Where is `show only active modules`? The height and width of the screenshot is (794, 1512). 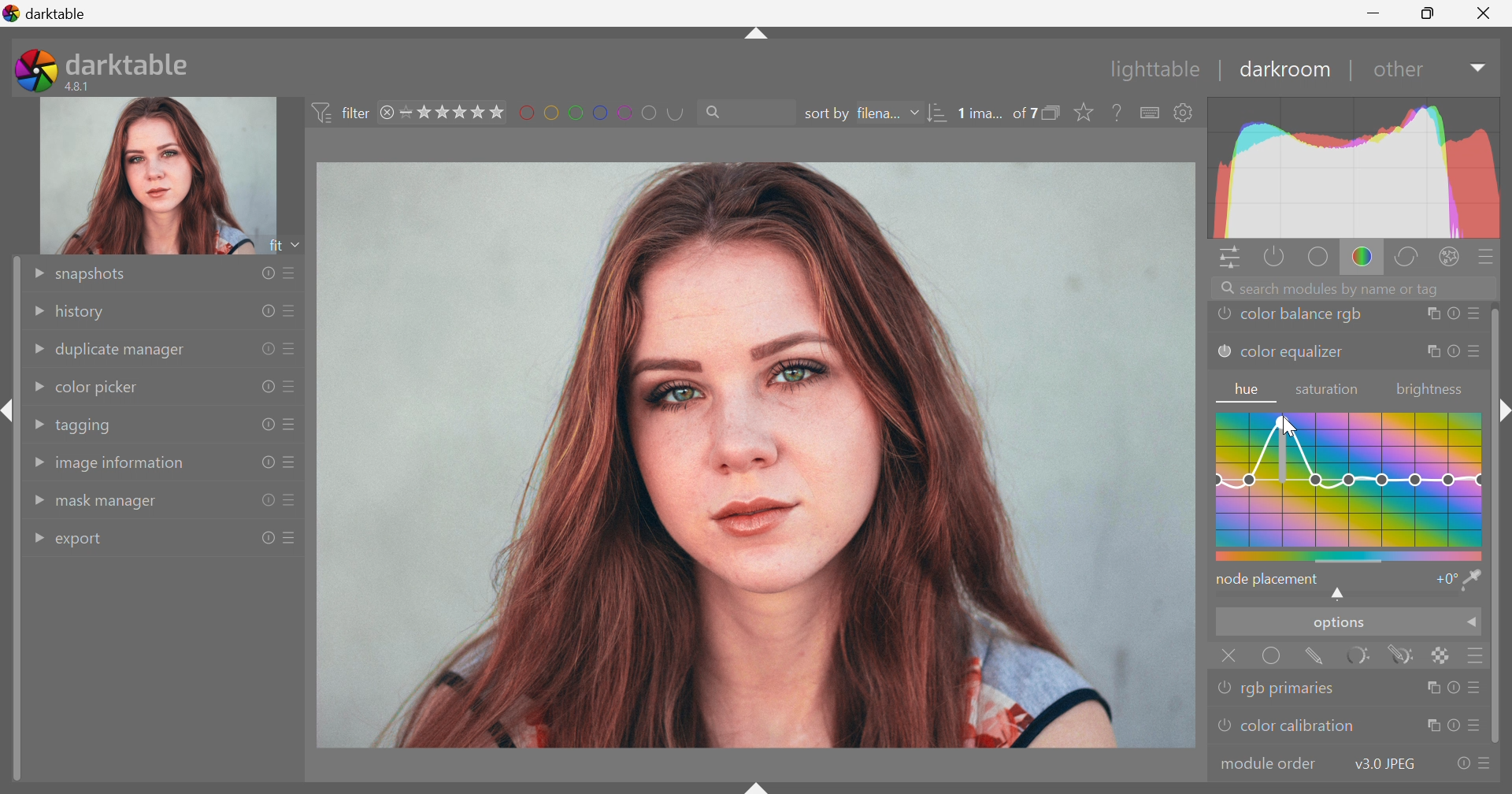 show only active modules is located at coordinates (1273, 256).